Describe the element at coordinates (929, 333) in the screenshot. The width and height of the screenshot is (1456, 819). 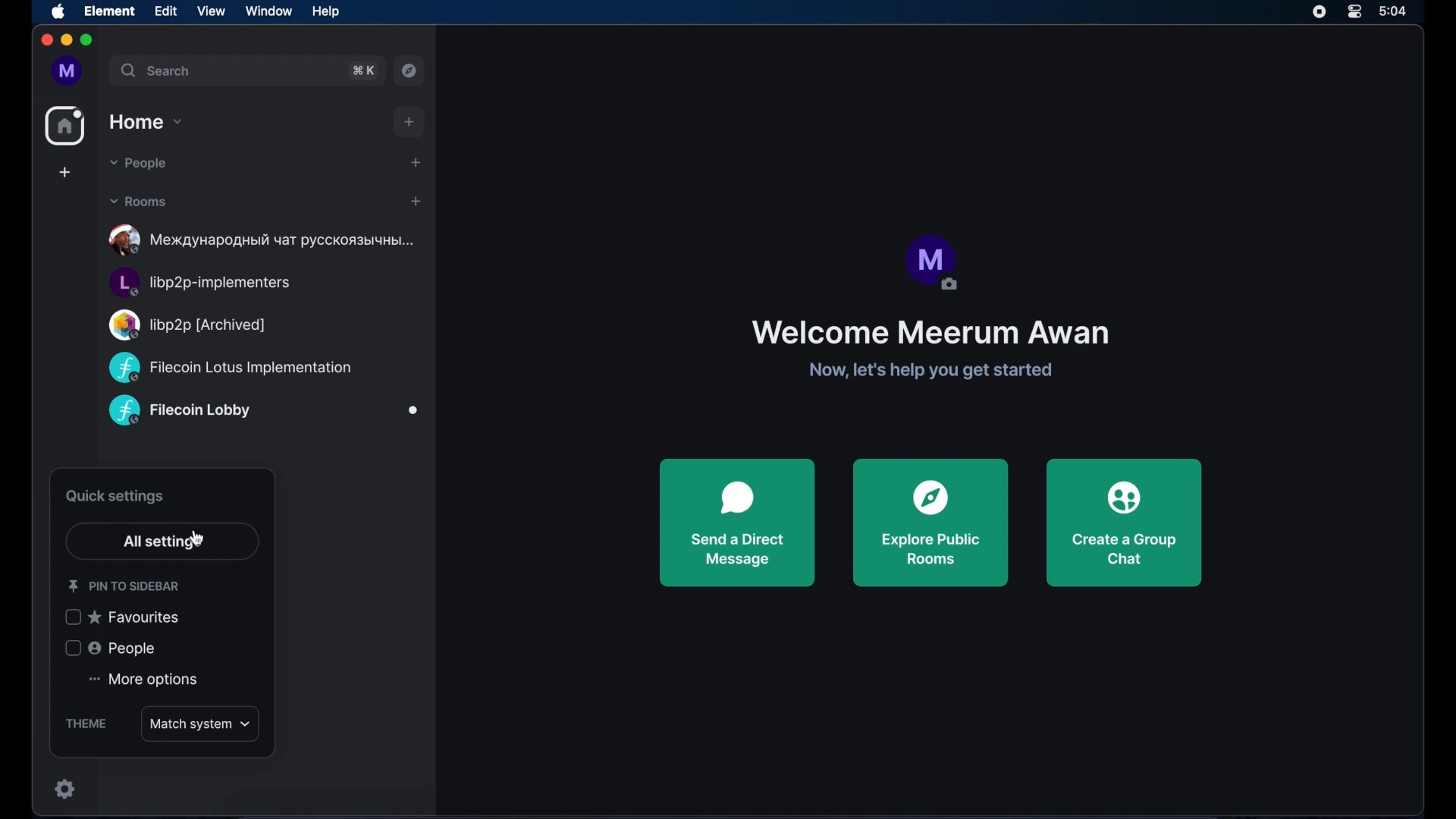
I see `welcome meerut awan` at that location.